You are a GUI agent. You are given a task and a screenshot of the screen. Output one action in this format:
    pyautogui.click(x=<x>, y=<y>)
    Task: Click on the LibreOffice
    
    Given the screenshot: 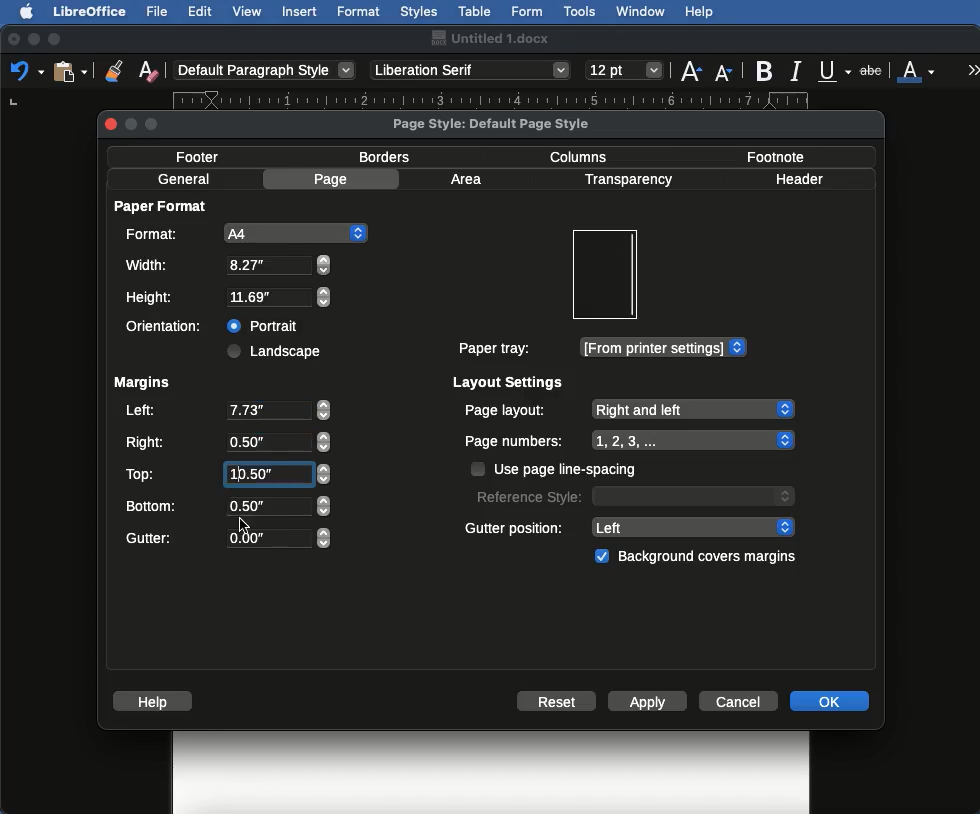 What is the action you would take?
    pyautogui.click(x=89, y=11)
    